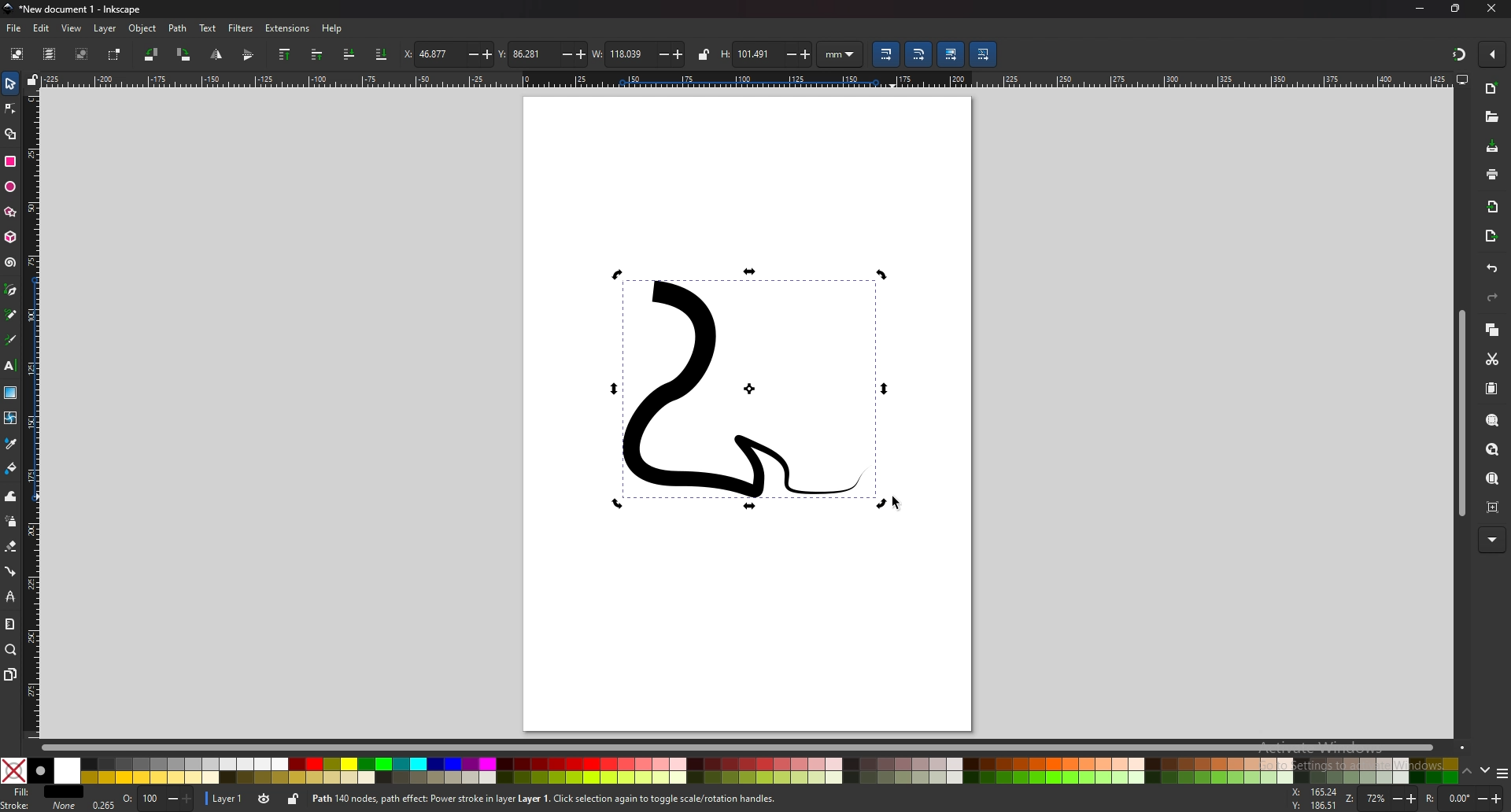  What do you see at coordinates (448, 54) in the screenshot?
I see `x coordinates` at bounding box center [448, 54].